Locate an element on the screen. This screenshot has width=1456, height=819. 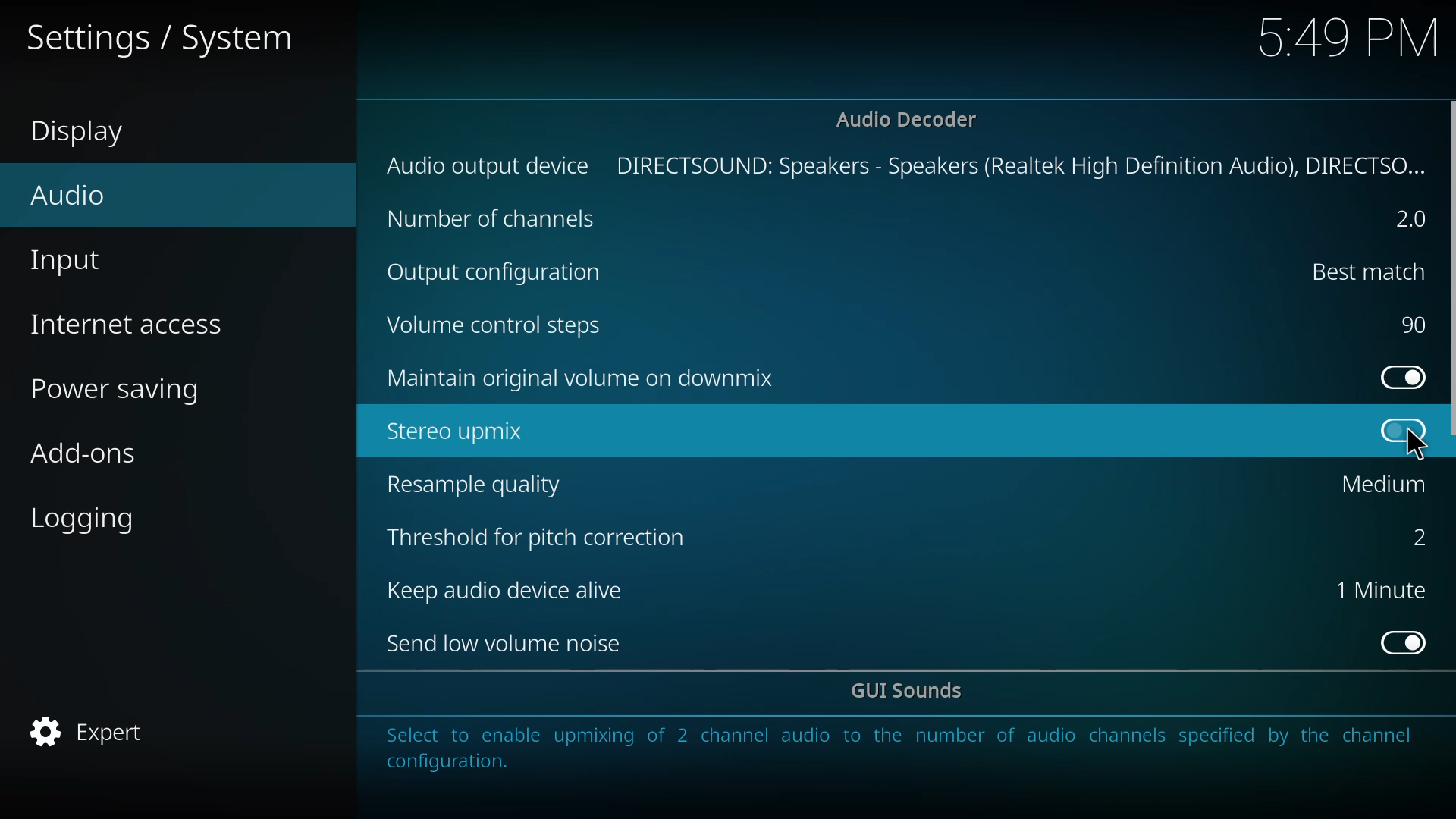
90 is located at coordinates (1417, 325).